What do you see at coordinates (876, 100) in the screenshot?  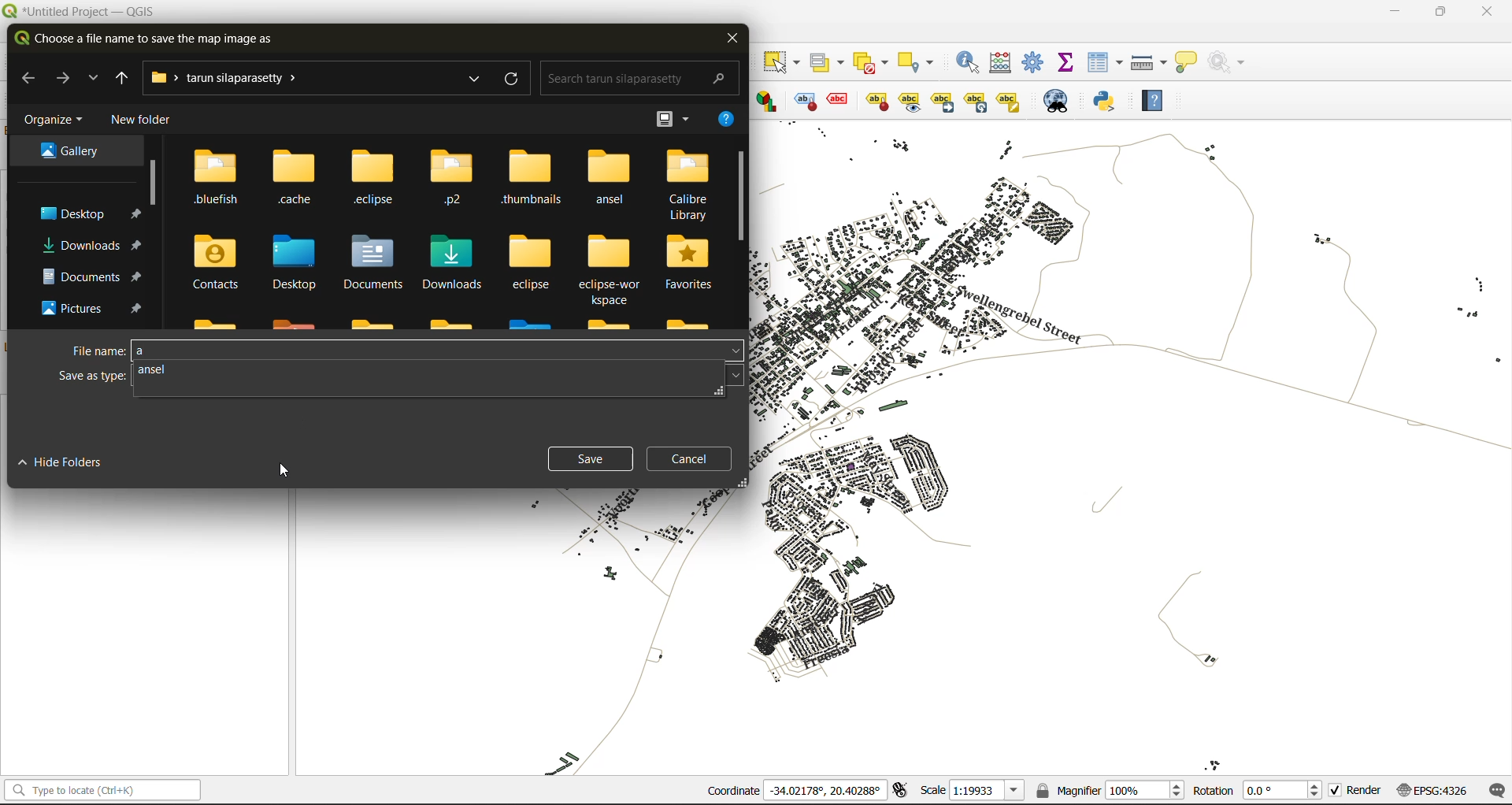 I see `show/hide lable and diagram ` at bounding box center [876, 100].